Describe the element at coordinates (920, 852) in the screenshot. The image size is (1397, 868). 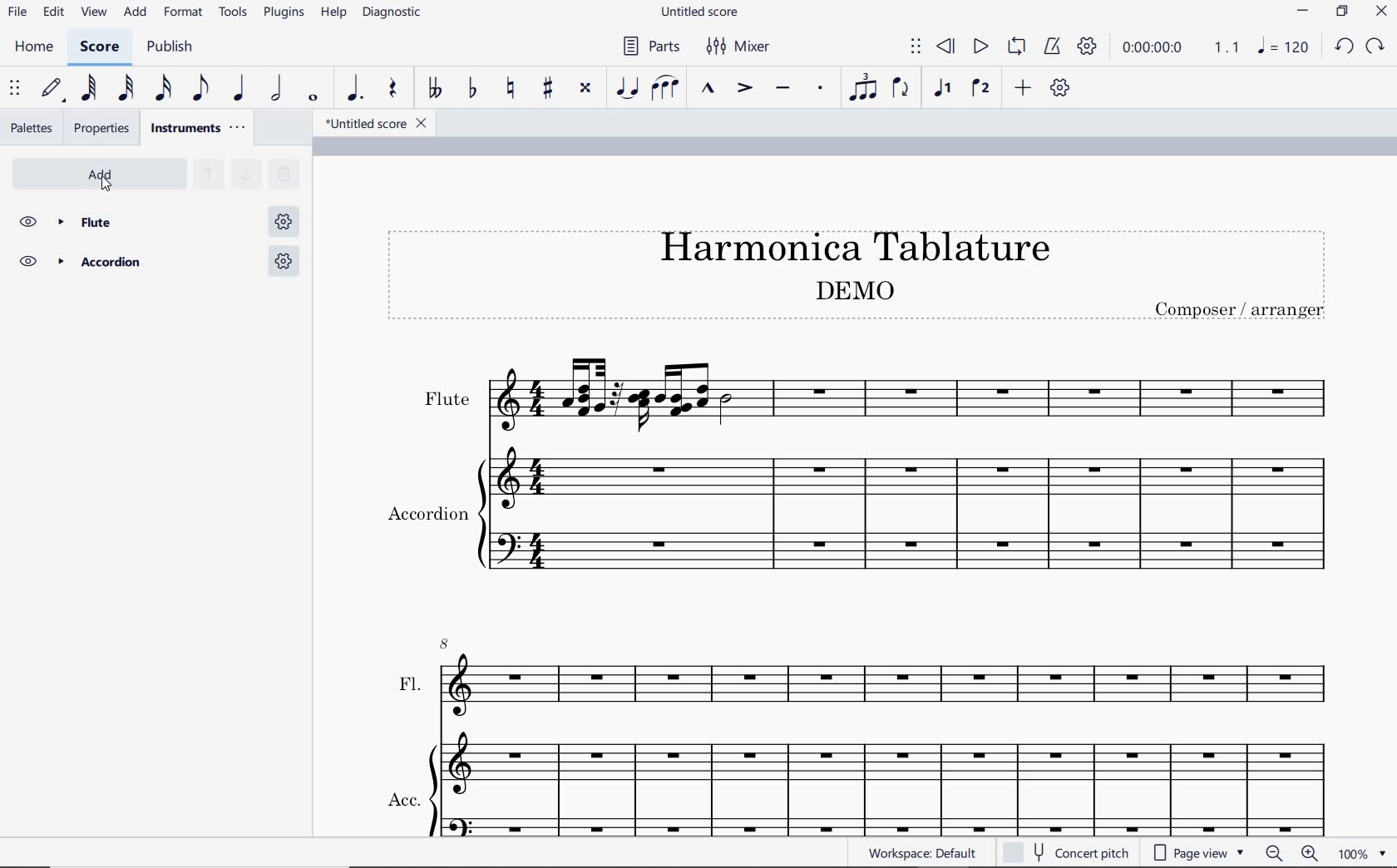
I see `workspace: default` at that location.